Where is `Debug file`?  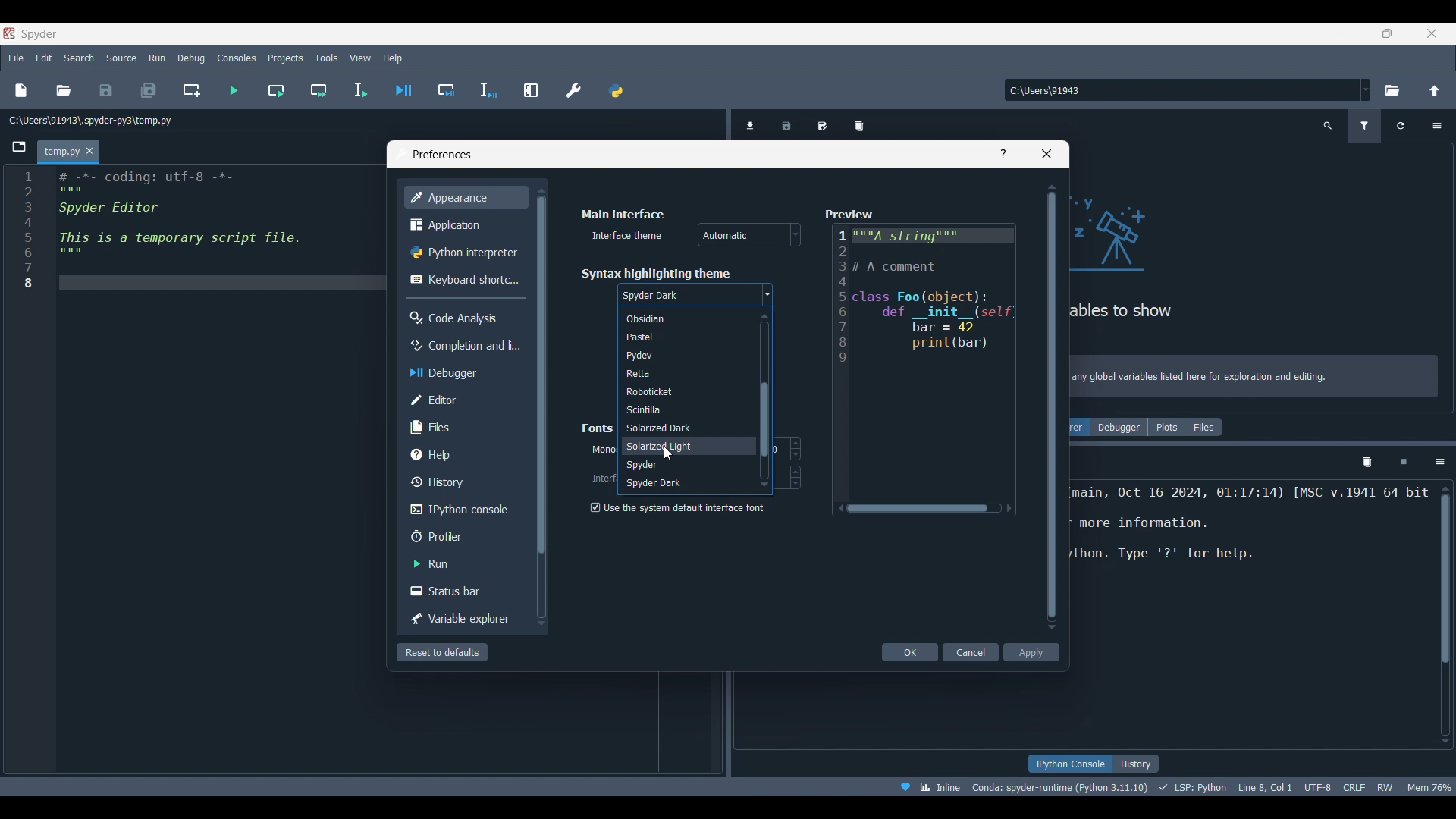 Debug file is located at coordinates (403, 89).